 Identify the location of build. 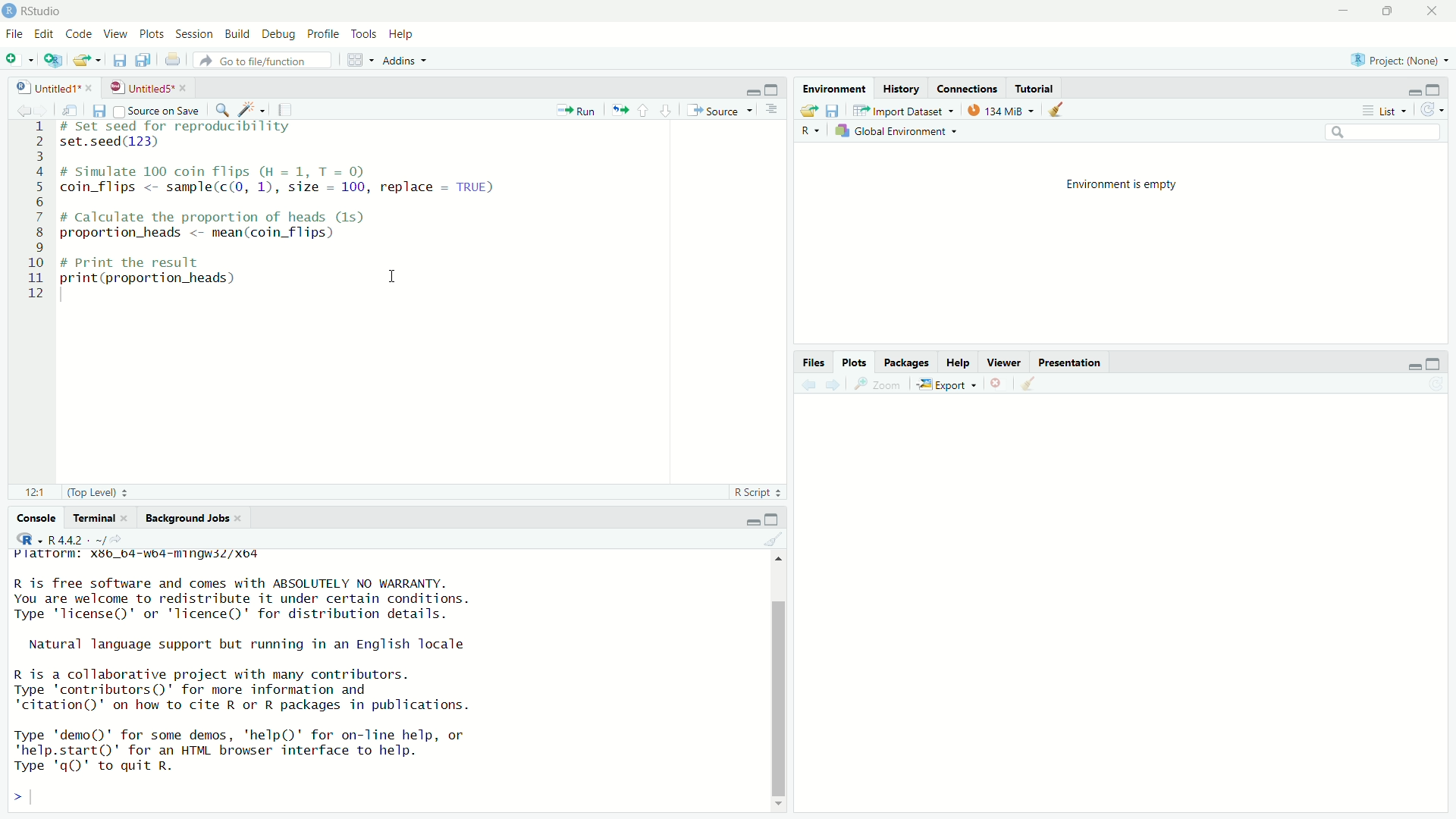
(240, 33).